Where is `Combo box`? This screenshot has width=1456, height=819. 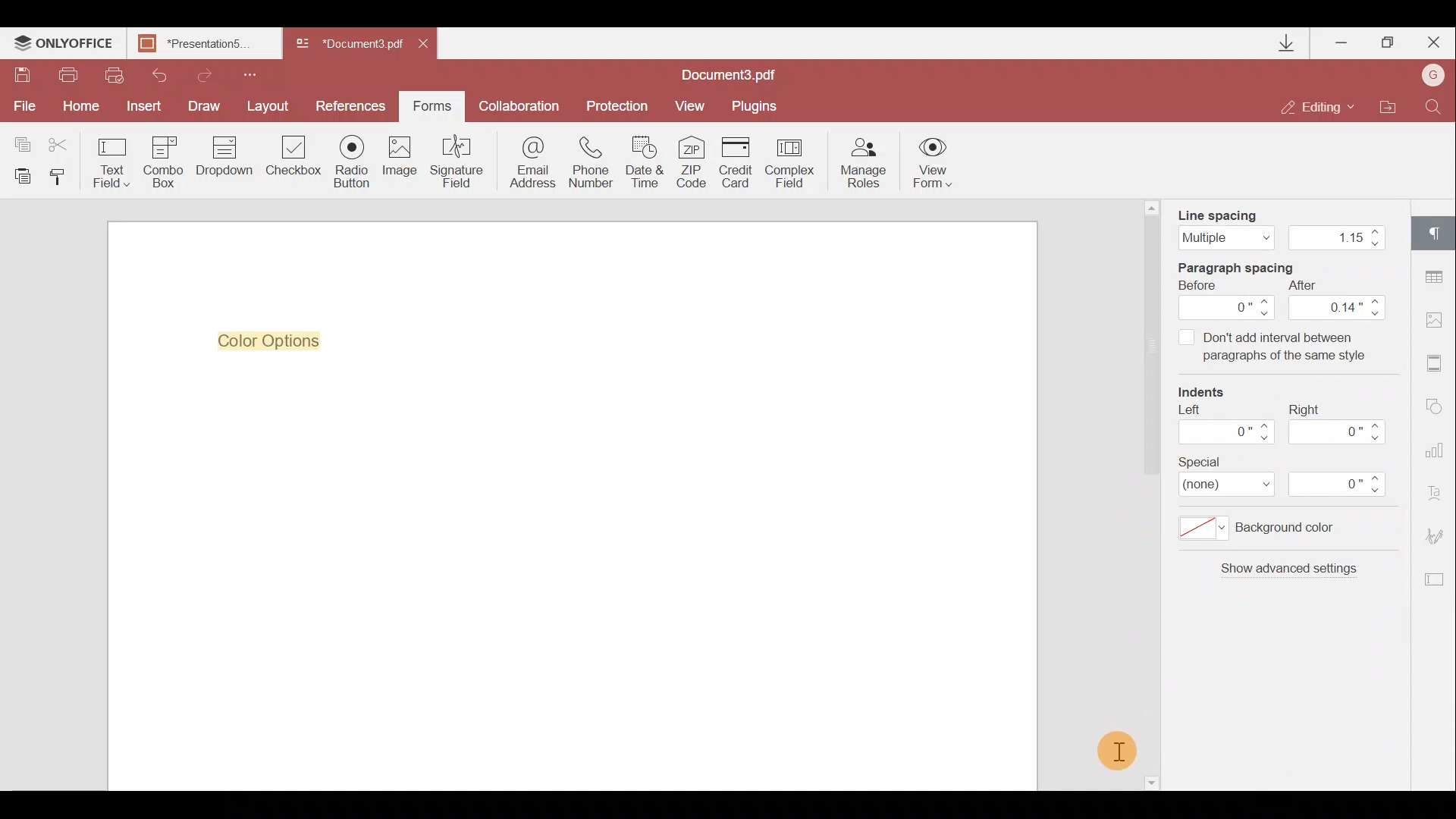
Combo box is located at coordinates (162, 162).